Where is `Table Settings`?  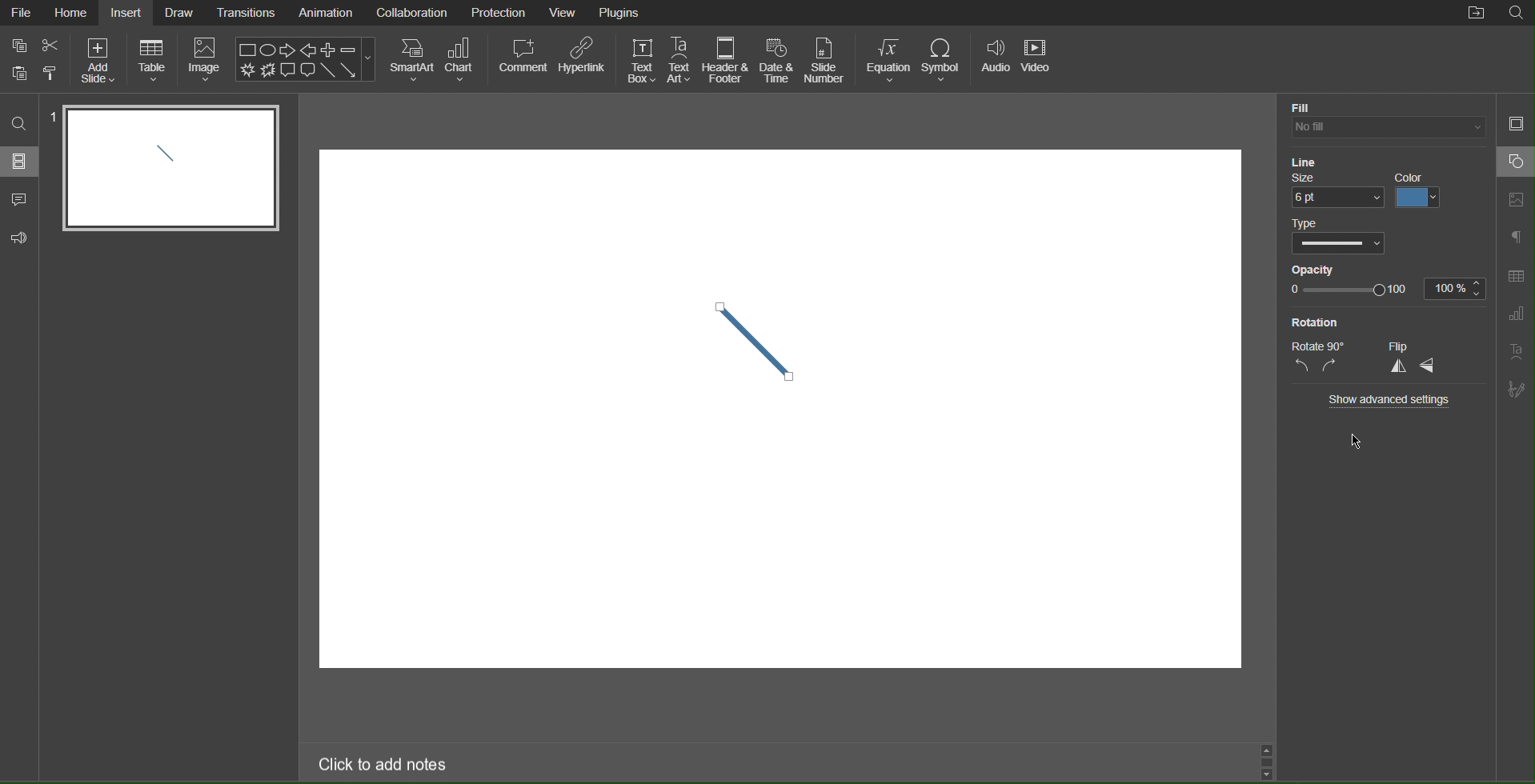 Table Settings is located at coordinates (1516, 275).